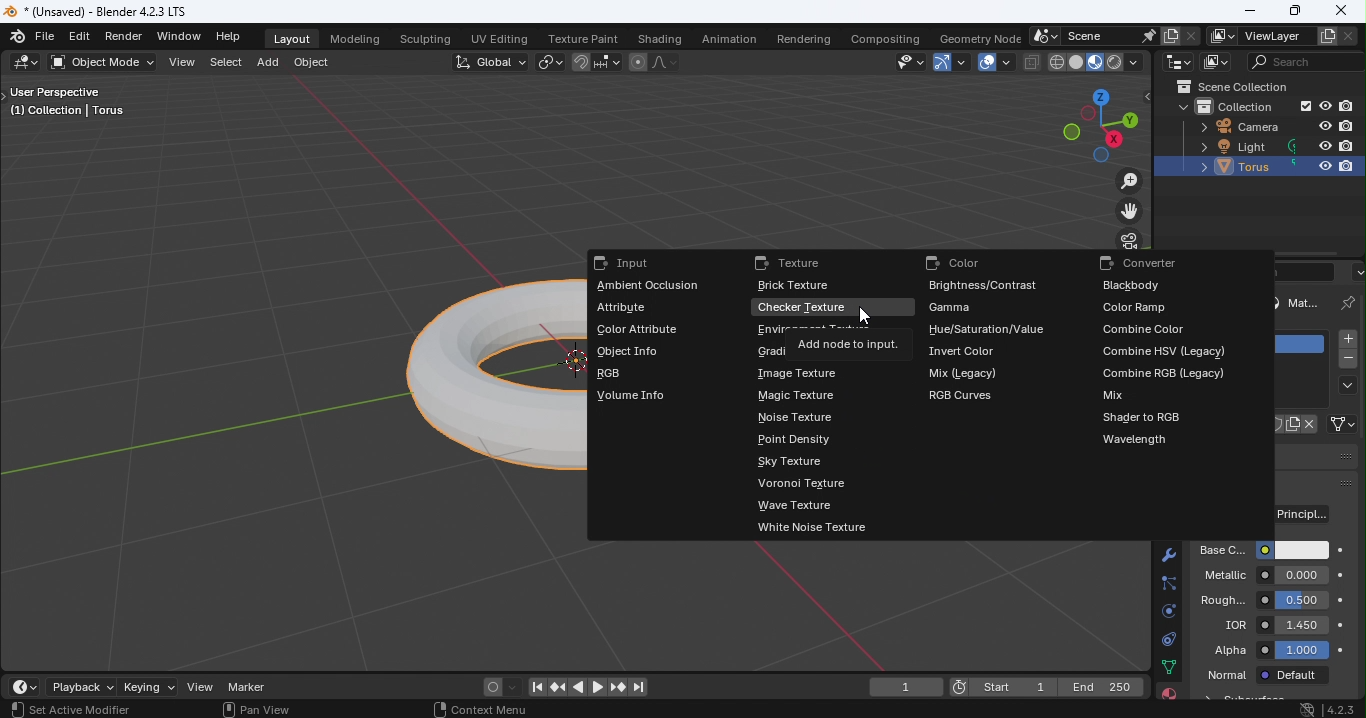 The image size is (1366, 718). What do you see at coordinates (951, 263) in the screenshot?
I see `Color` at bounding box center [951, 263].